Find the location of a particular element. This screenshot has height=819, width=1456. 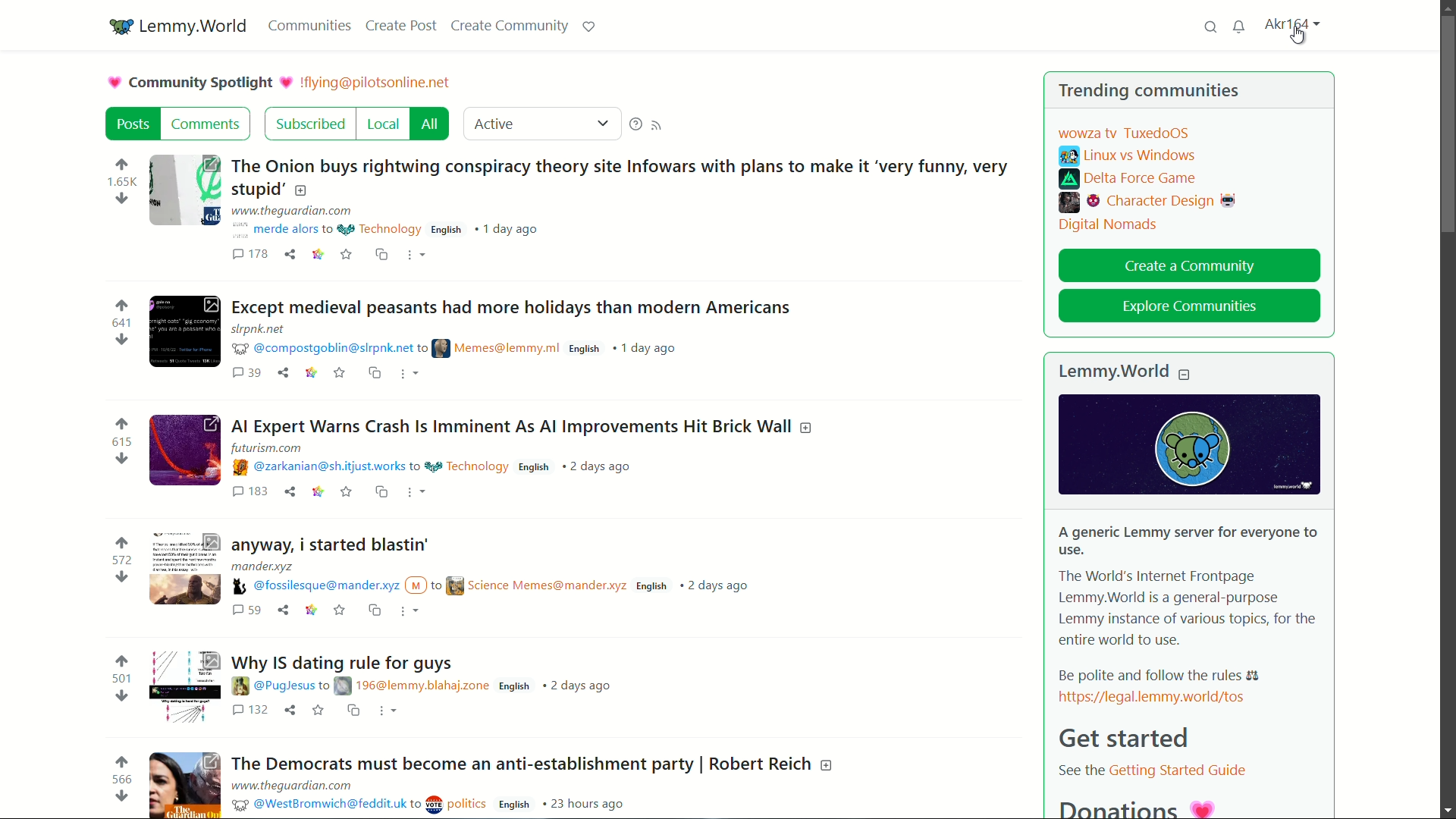

post is located at coordinates (133, 124).